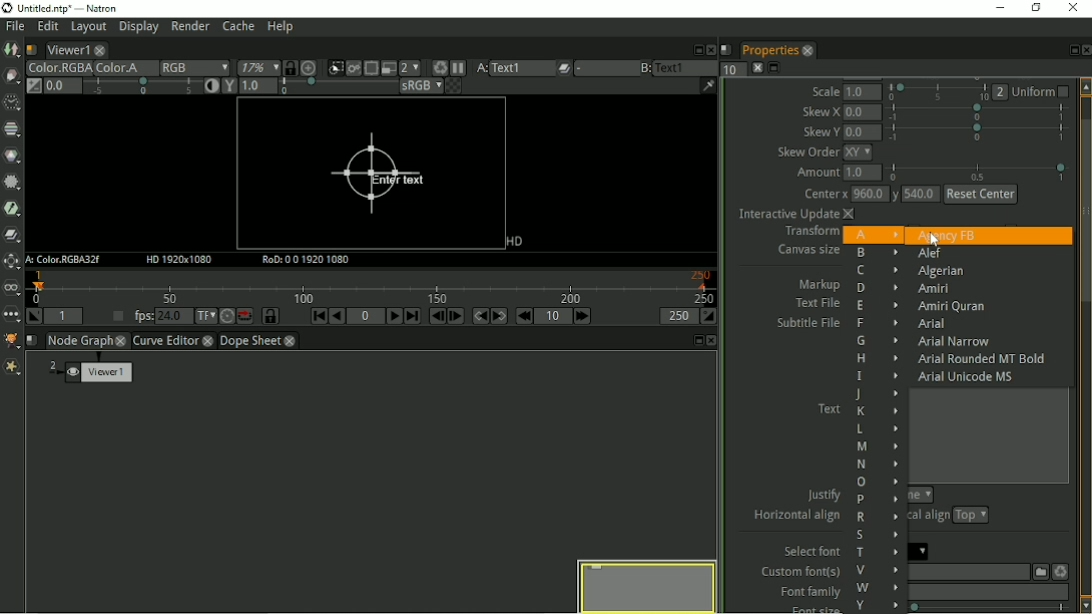 The height and width of the screenshot is (614, 1092). What do you see at coordinates (480, 68) in the screenshot?
I see `A` at bounding box center [480, 68].